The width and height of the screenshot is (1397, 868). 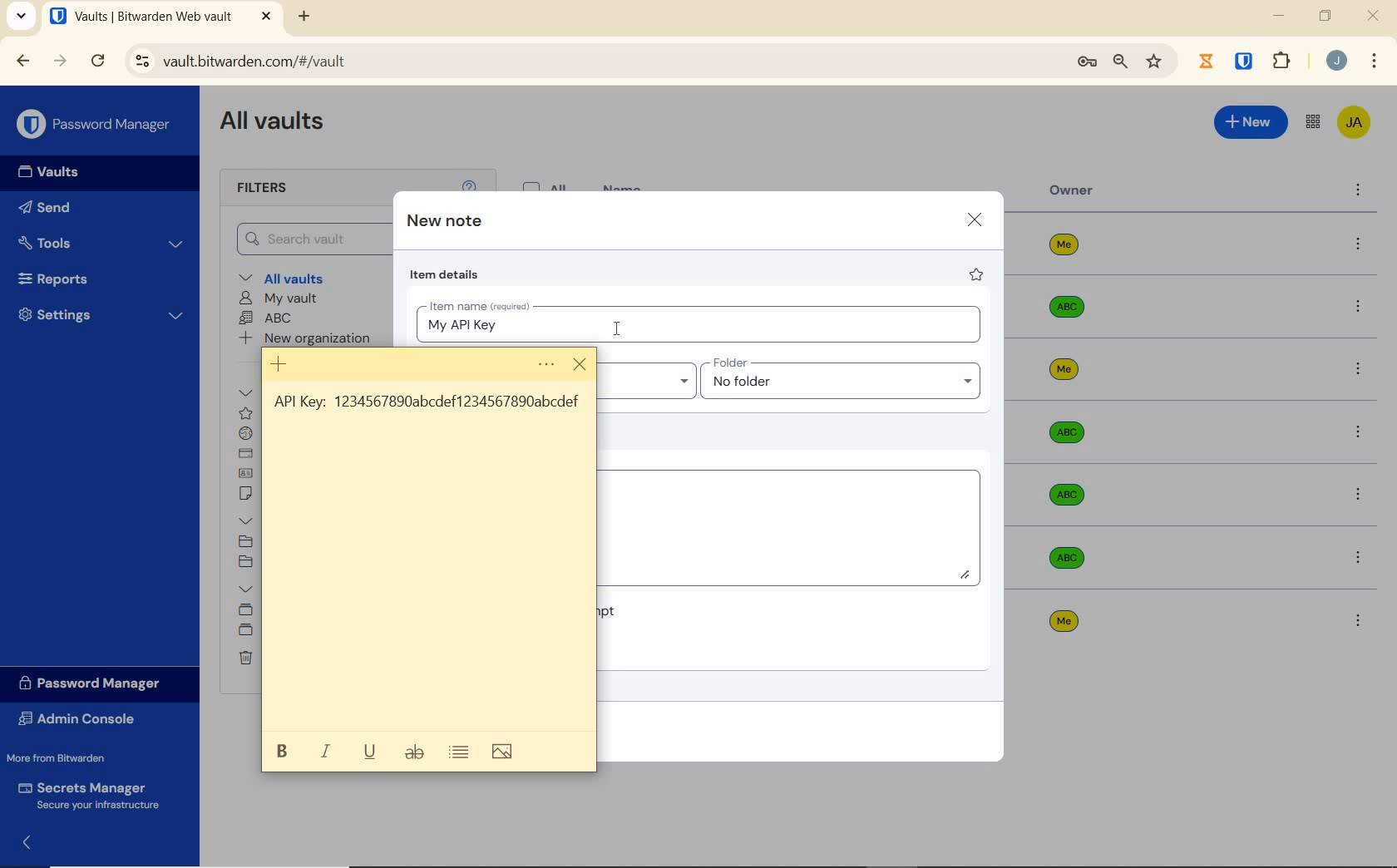 What do you see at coordinates (1245, 62) in the screenshot?
I see `BITWARDEN` at bounding box center [1245, 62].